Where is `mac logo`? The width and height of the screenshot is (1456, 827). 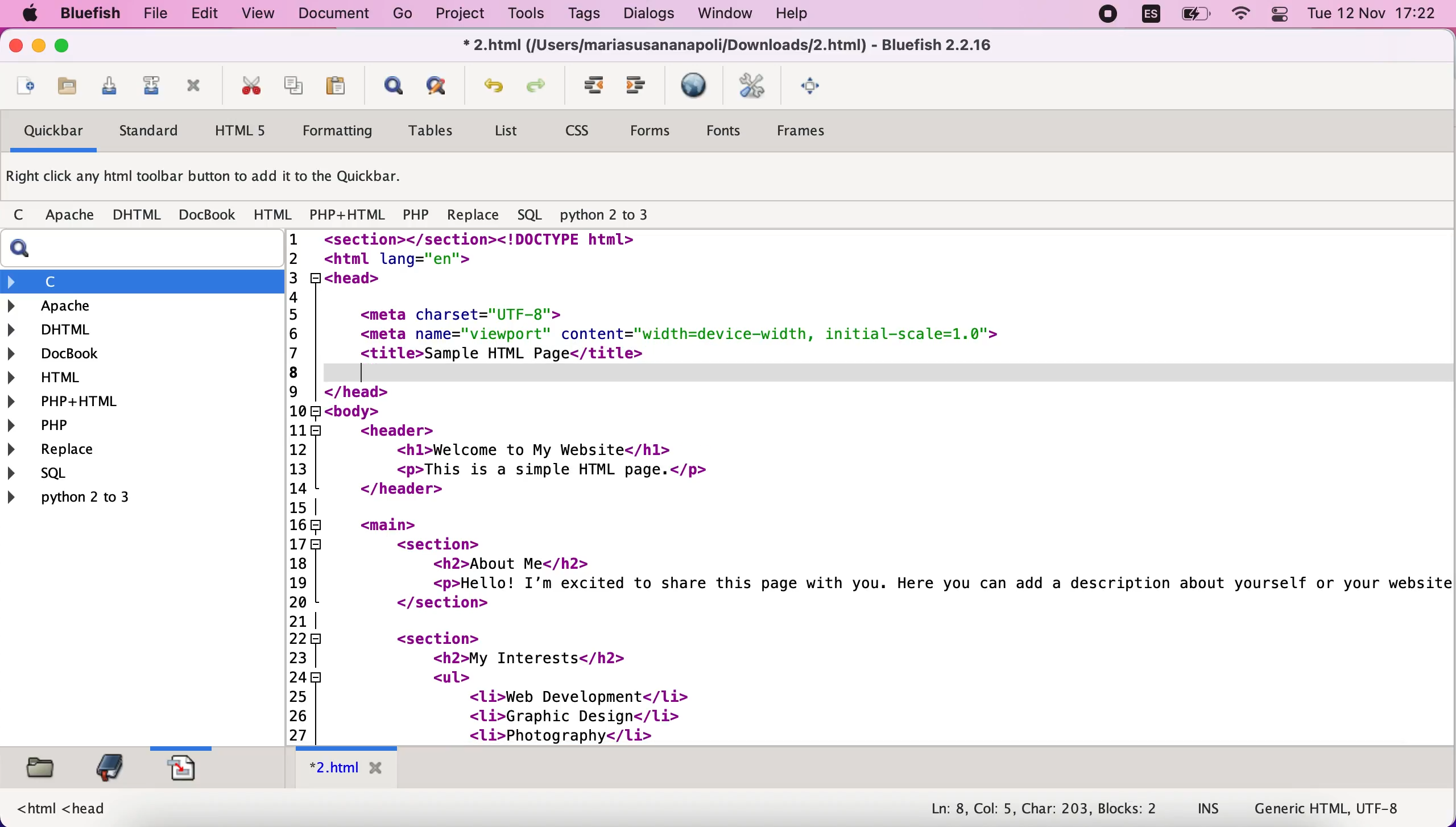
mac logo is located at coordinates (35, 14).